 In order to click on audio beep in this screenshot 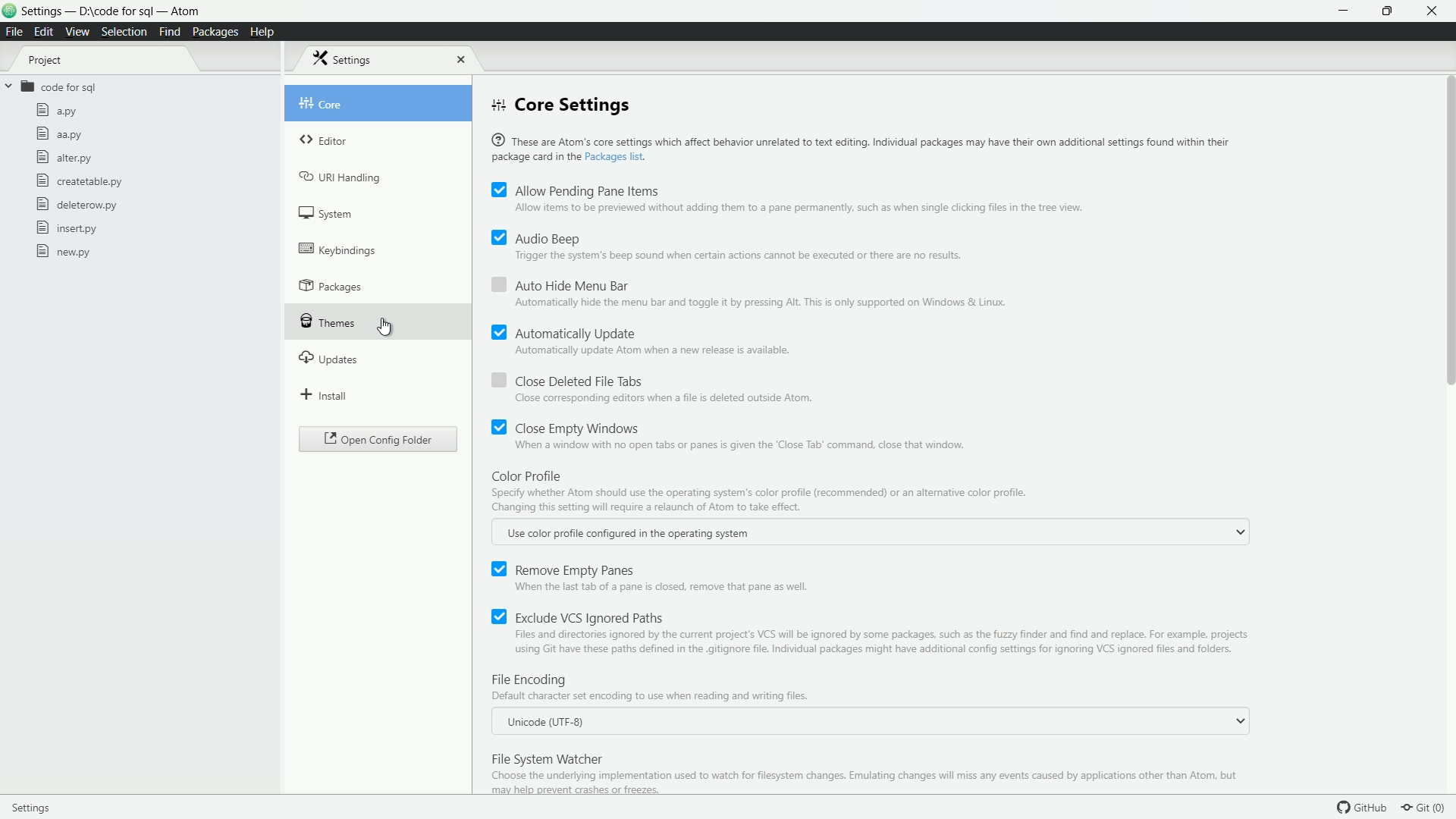, I will do `click(535, 240)`.